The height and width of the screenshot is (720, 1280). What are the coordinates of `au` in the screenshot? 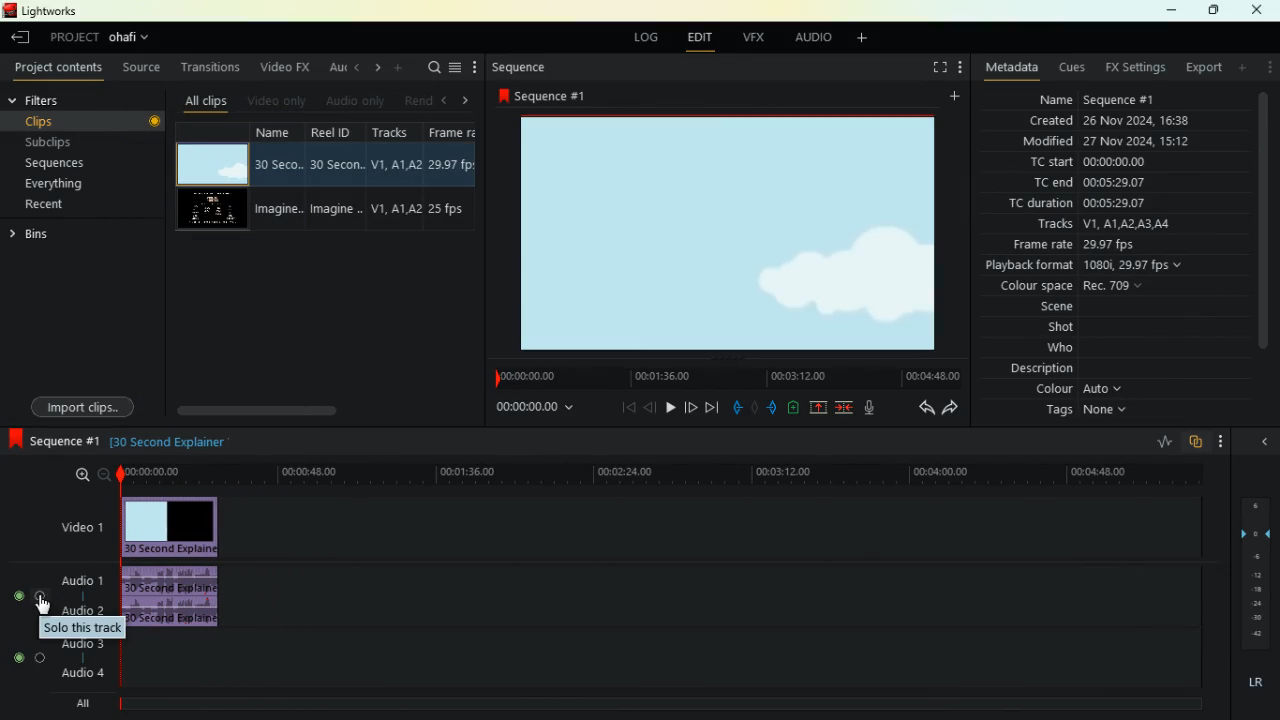 It's located at (334, 69).